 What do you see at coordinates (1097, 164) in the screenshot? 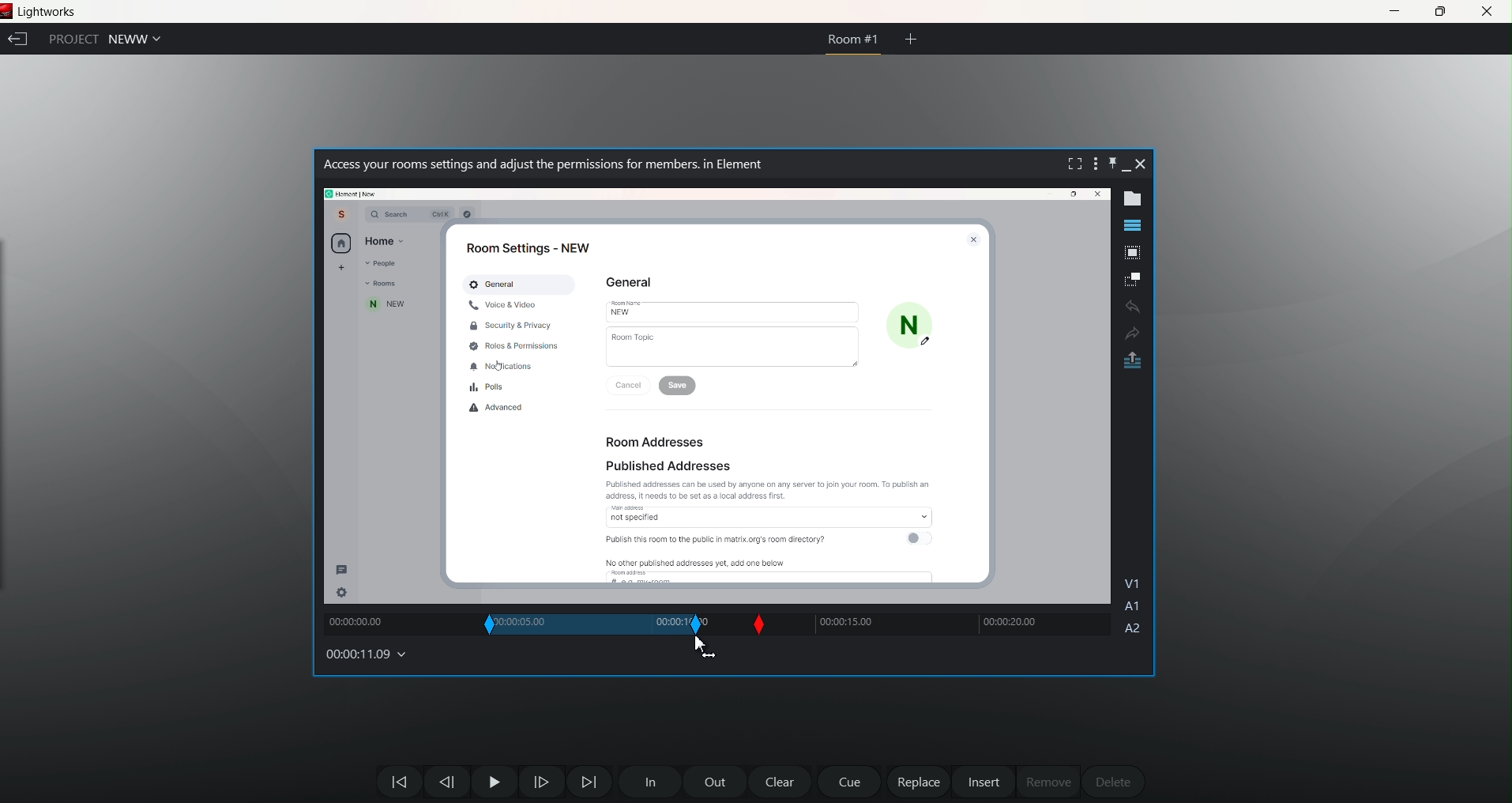
I see `show setting menu` at bounding box center [1097, 164].